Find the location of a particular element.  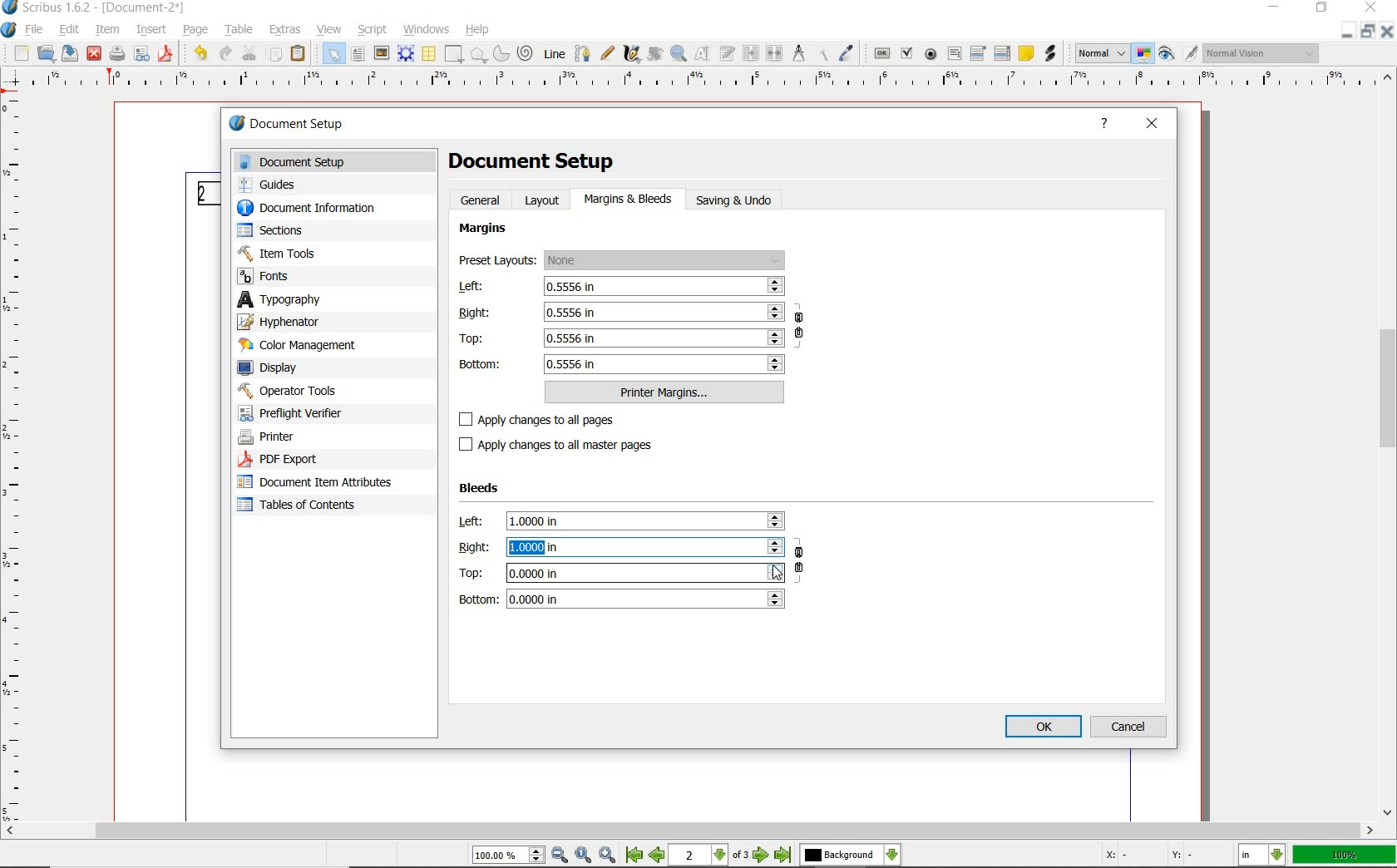

line is located at coordinates (555, 53).